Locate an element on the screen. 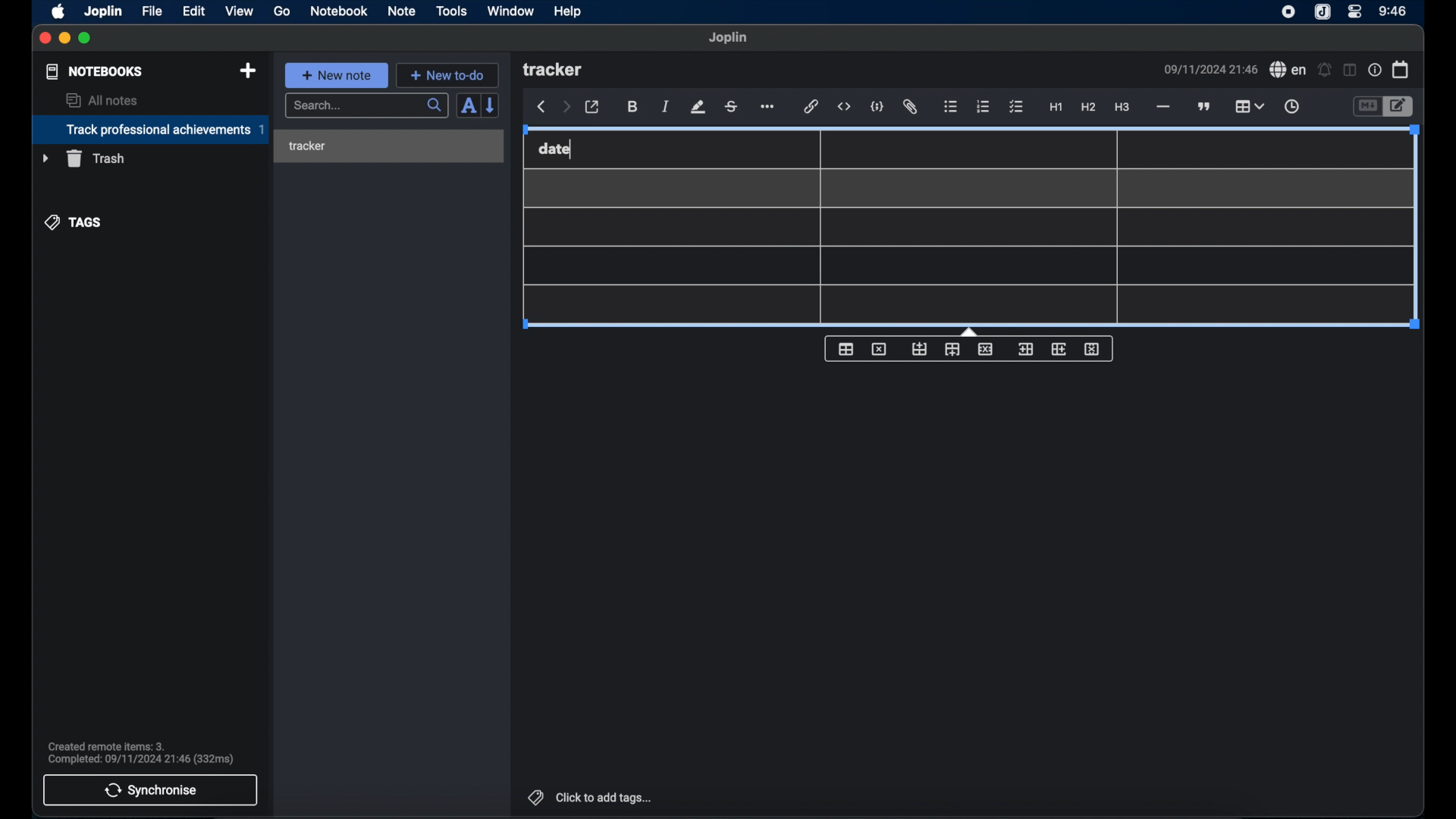  reverse sort order is located at coordinates (492, 105).